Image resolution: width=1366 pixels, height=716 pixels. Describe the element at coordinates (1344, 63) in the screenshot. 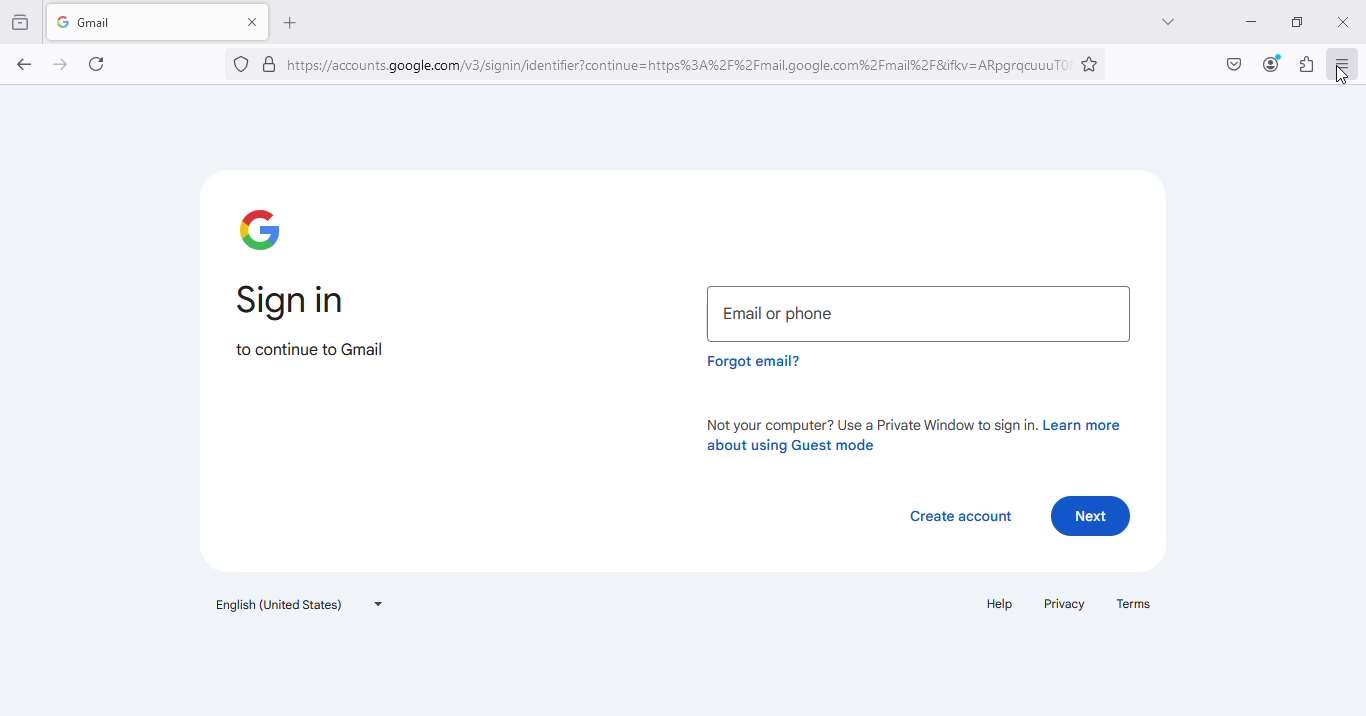

I see `open application menu` at that location.